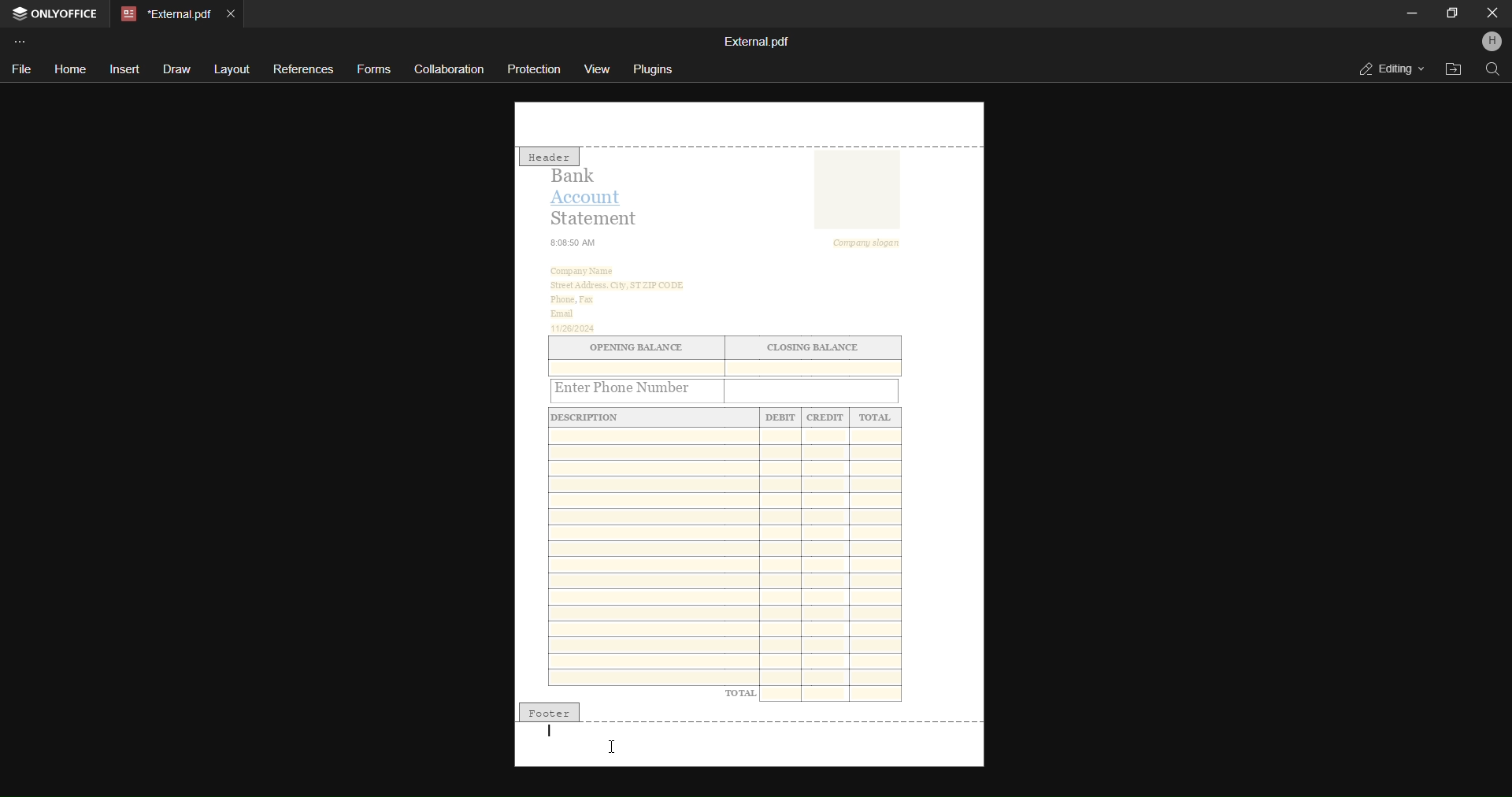 This screenshot has width=1512, height=797. I want to click on collaboration, so click(448, 69).